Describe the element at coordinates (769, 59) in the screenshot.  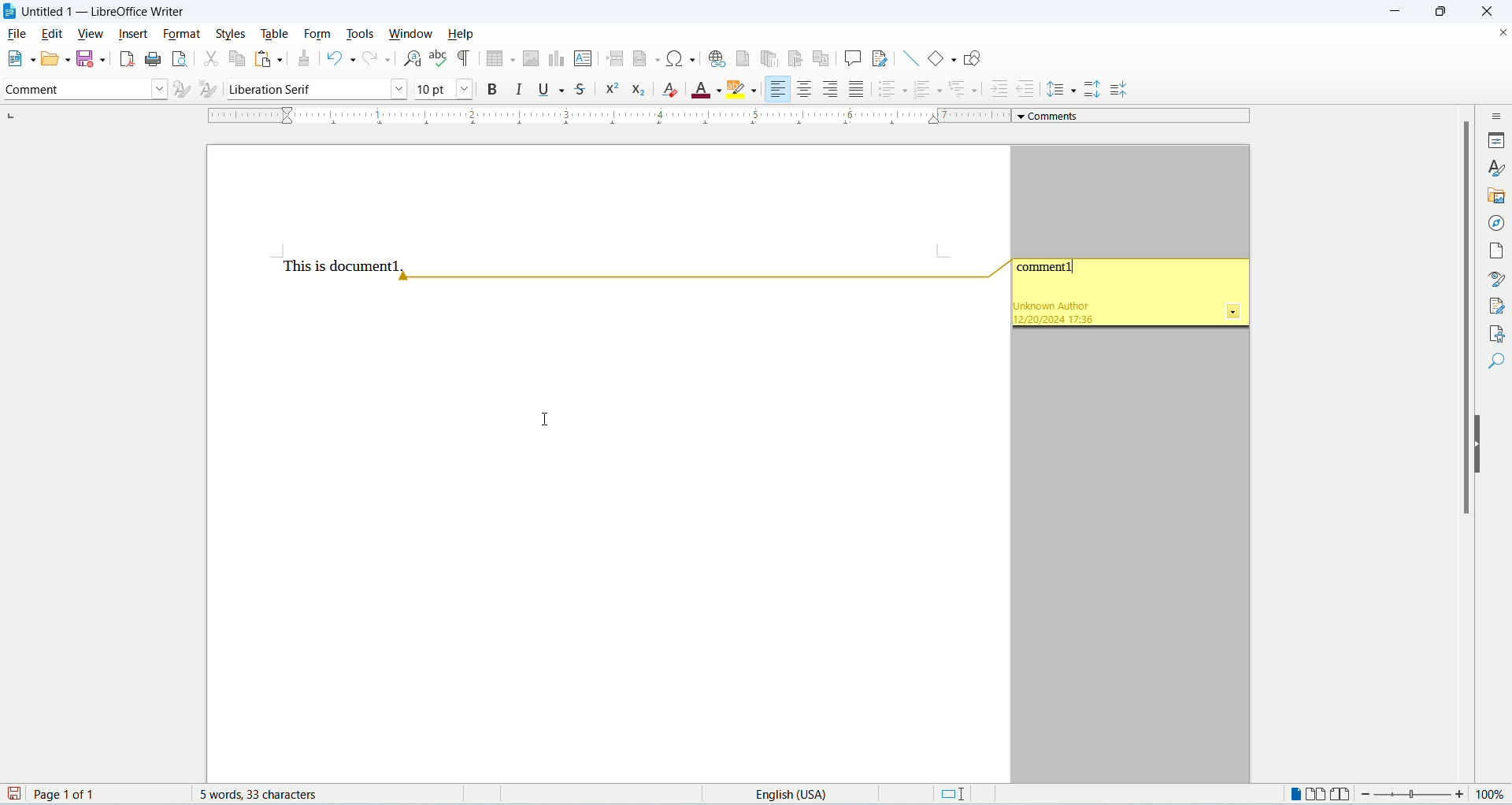
I see `insert endnote` at that location.